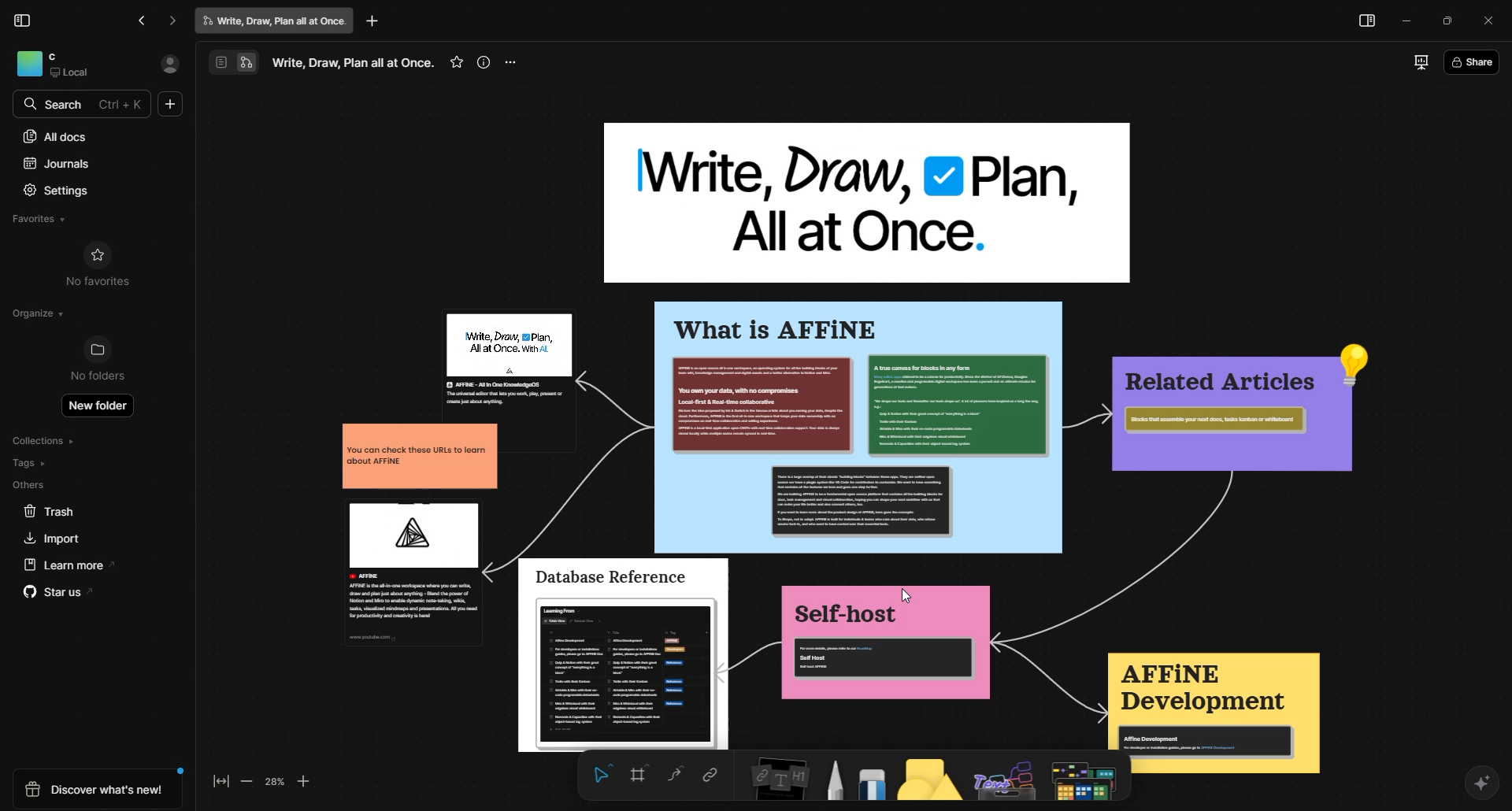 This screenshot has width=1512, height=811. What do you see at coordinates (830, 780) in the screenshot?
I see `Pencil` at bounding box center [830, 780].